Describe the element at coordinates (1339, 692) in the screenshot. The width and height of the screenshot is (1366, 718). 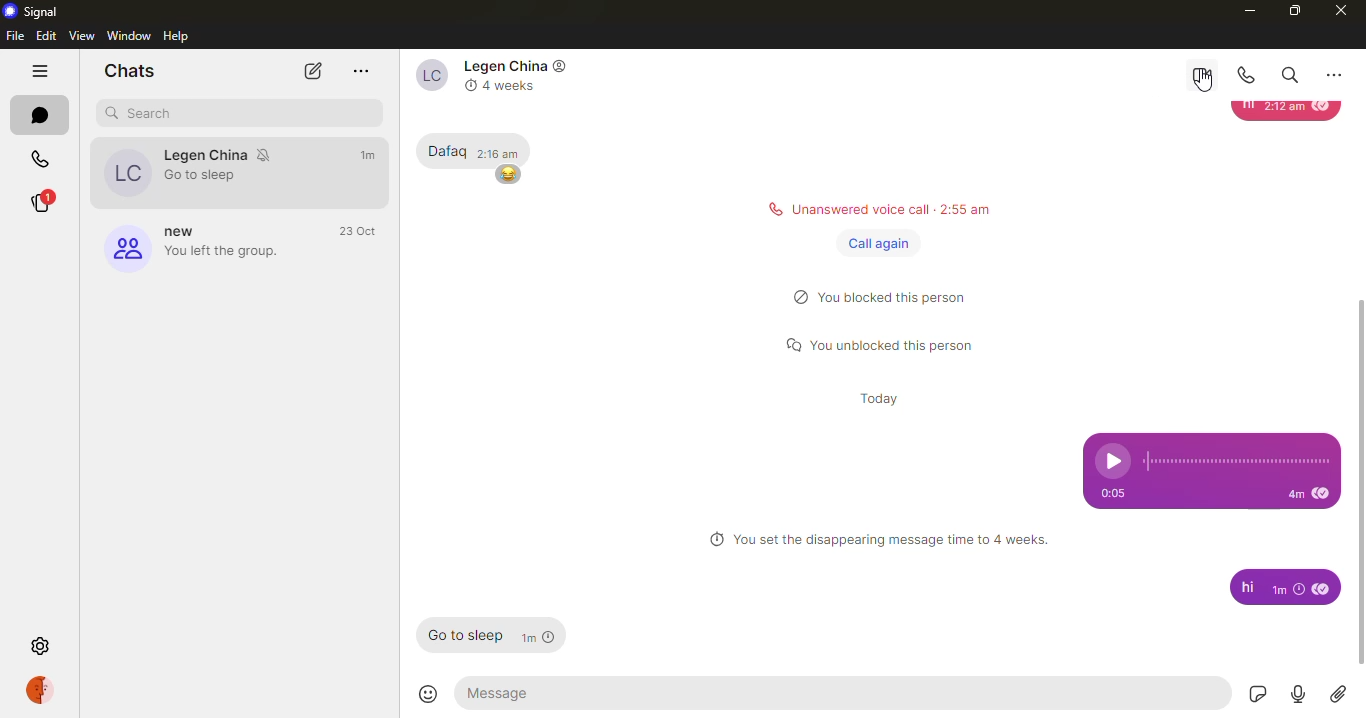
I see `attach` at that location.